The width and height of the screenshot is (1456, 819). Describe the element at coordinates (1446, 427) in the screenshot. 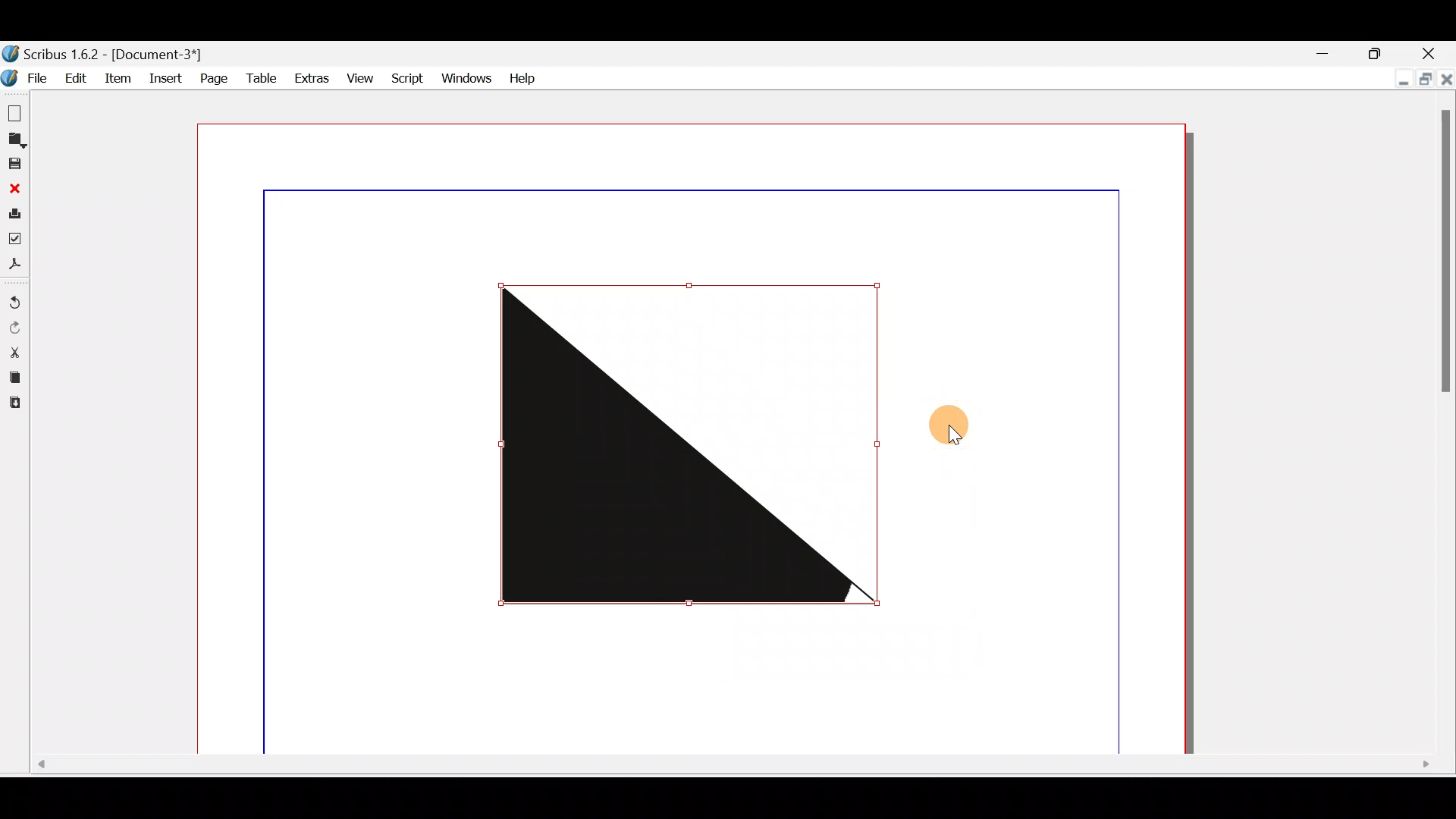

I see `Scroll bar` at that location.